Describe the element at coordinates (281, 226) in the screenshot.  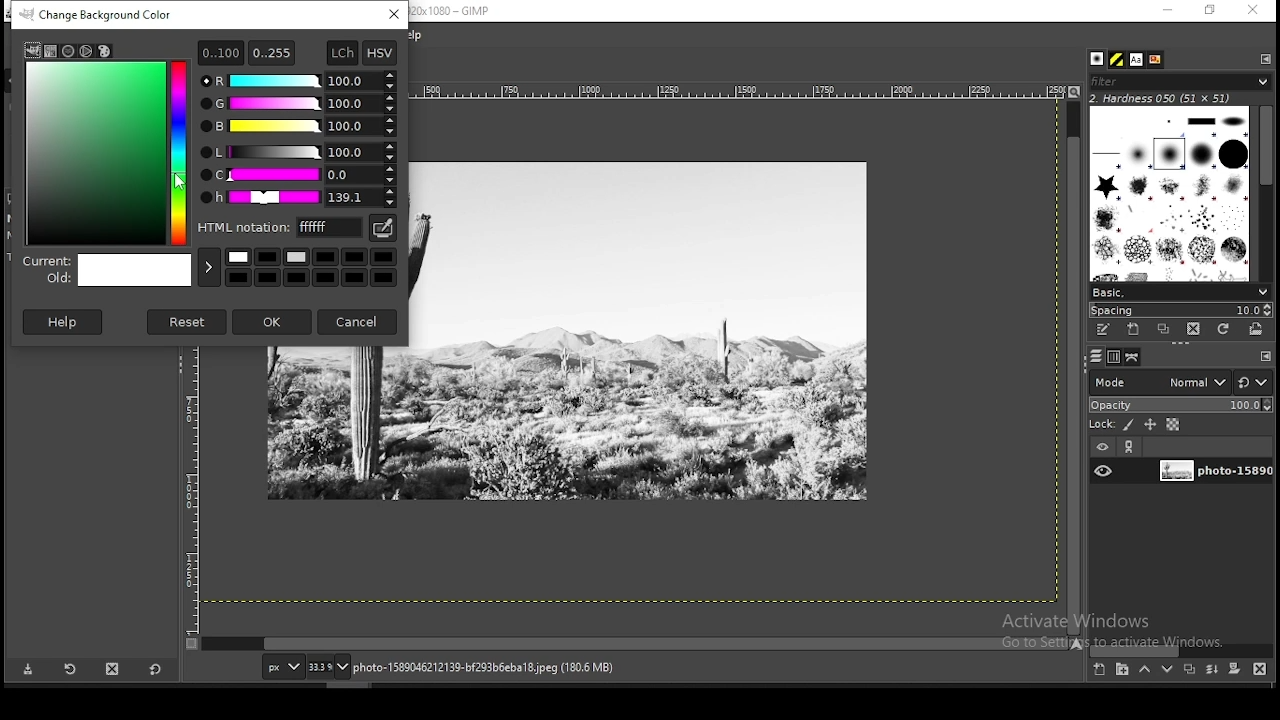
I see `html notation` at that location.